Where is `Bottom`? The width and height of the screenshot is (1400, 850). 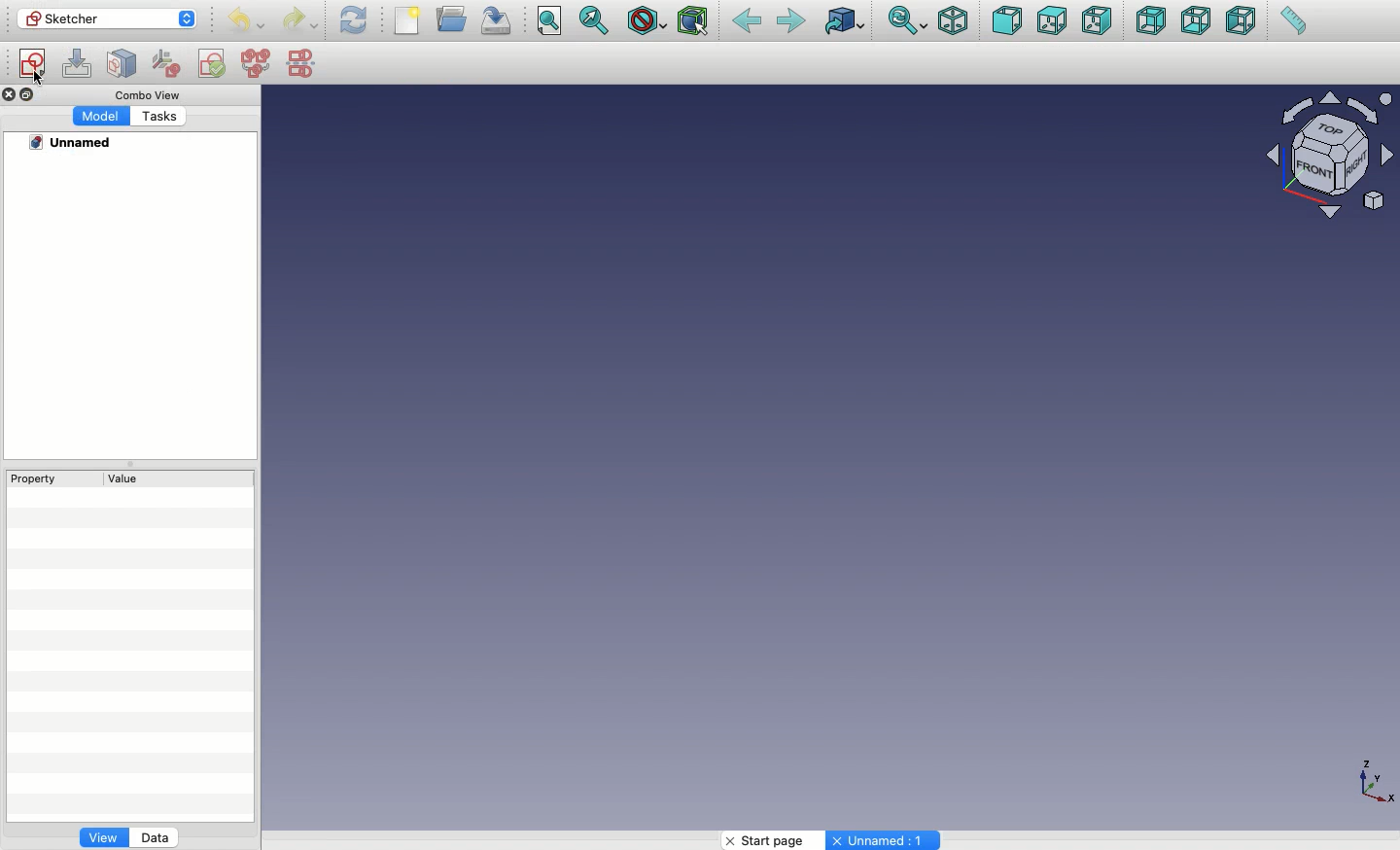
Bottom is located at coordinates (1196, 22).